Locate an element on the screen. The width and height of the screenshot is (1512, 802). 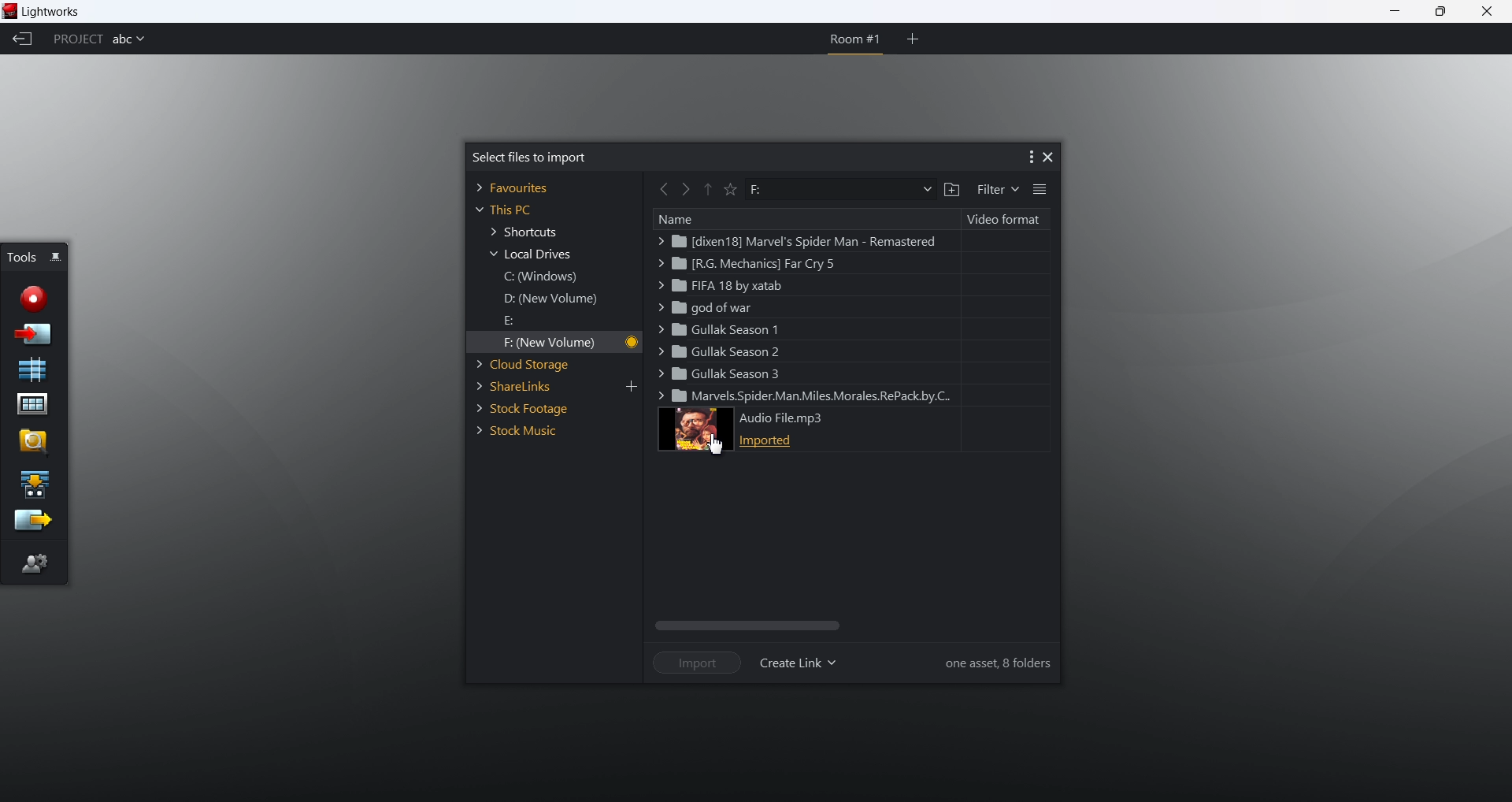
far cry 5 is located at coordinates (748, 264).